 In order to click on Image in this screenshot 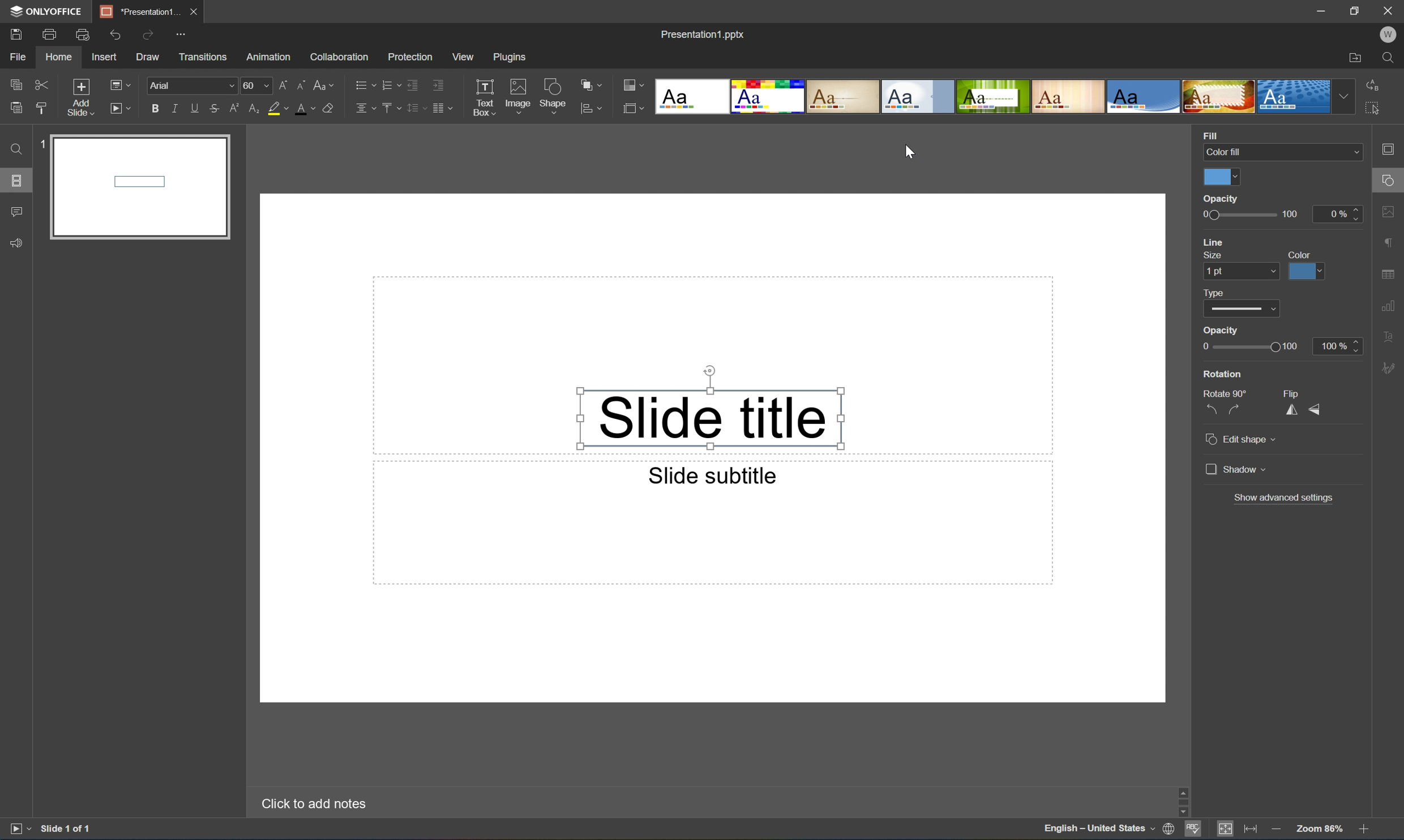, I will do `click(515, 94)`.